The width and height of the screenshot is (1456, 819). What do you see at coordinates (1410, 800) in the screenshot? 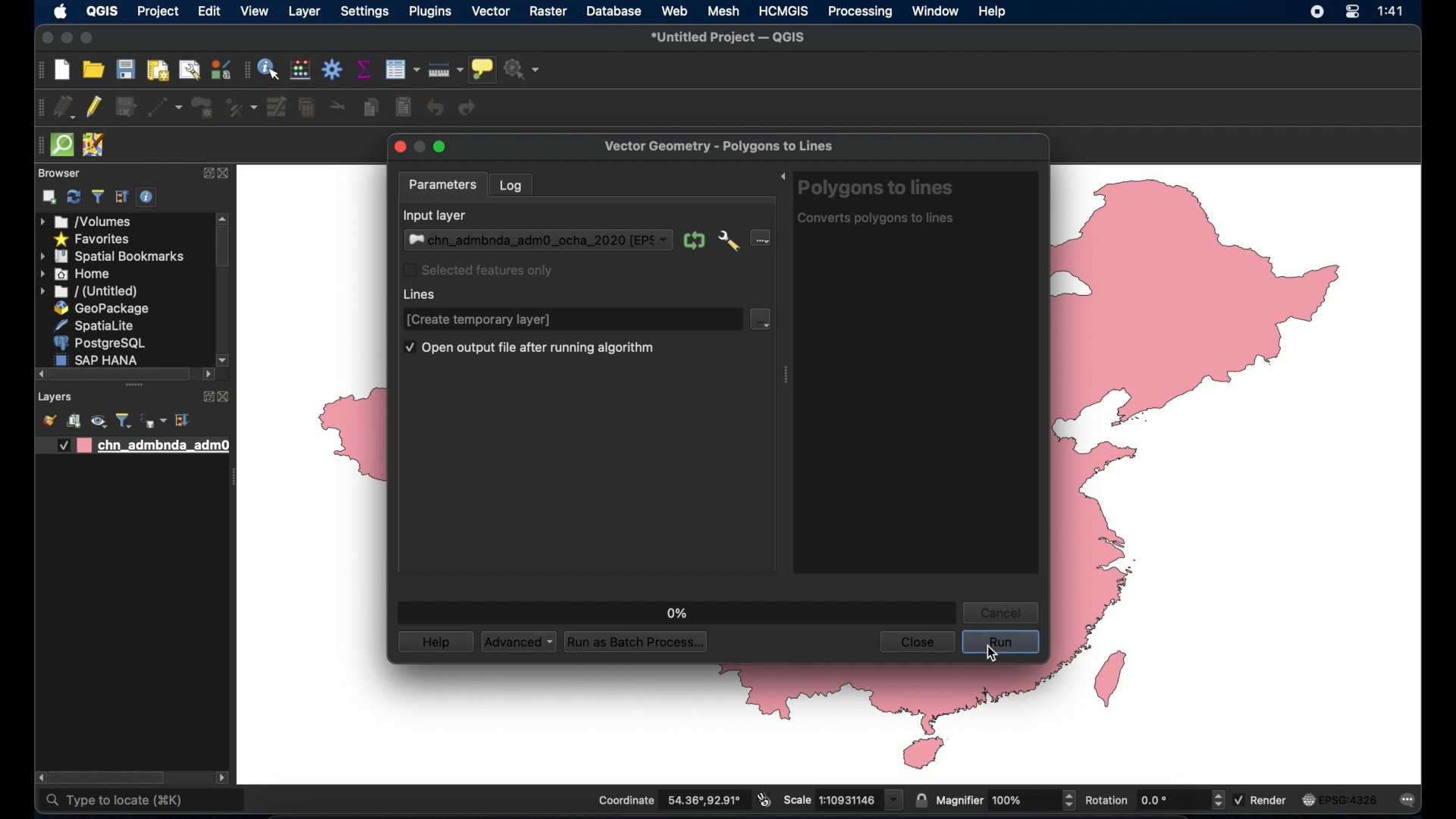
I see `messages` at bounding box center [1410, 800].